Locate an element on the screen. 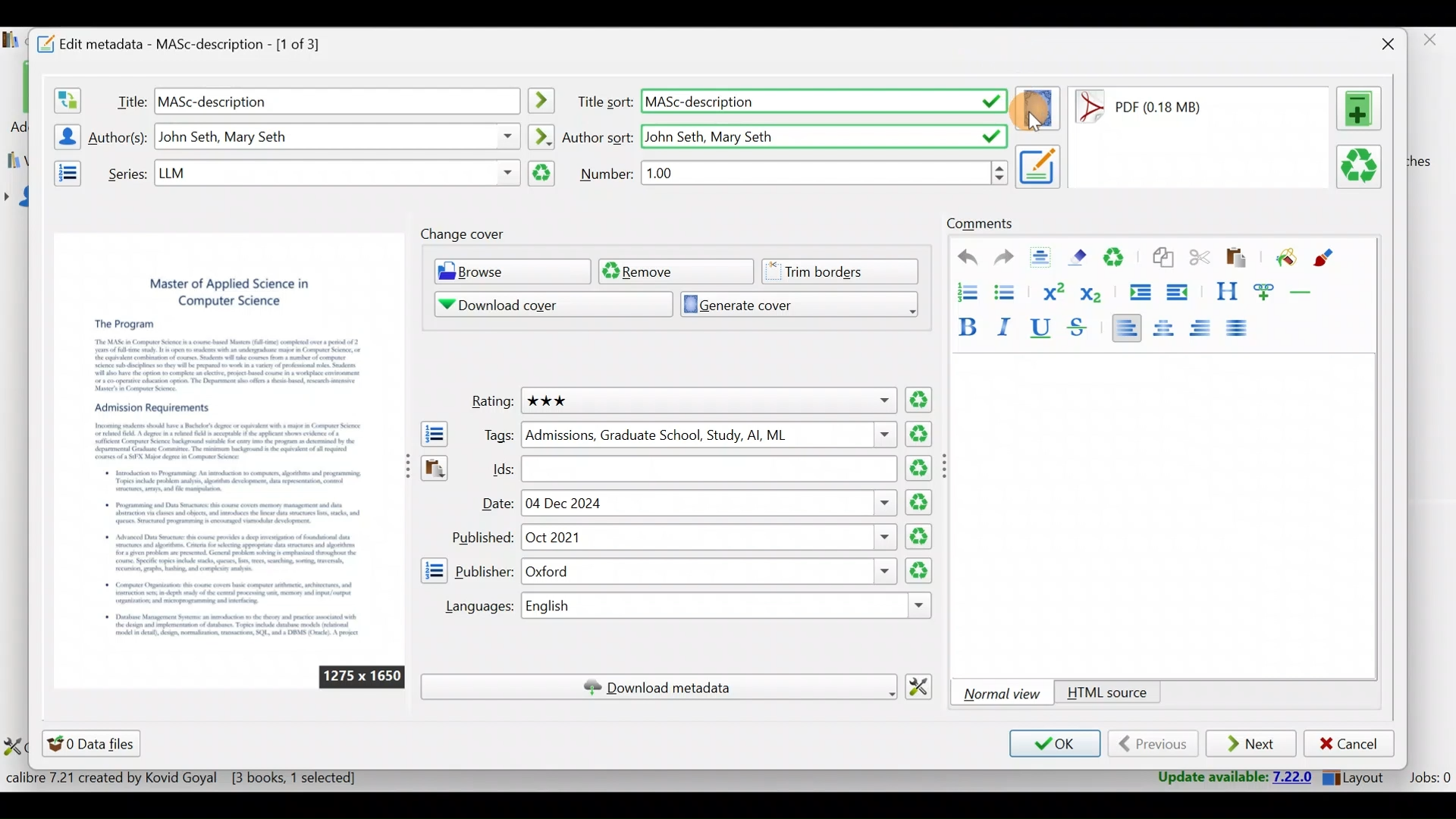 The height and width of the screenshot is (819, 1456). Unordered list is located at coordinates (1008, 291).